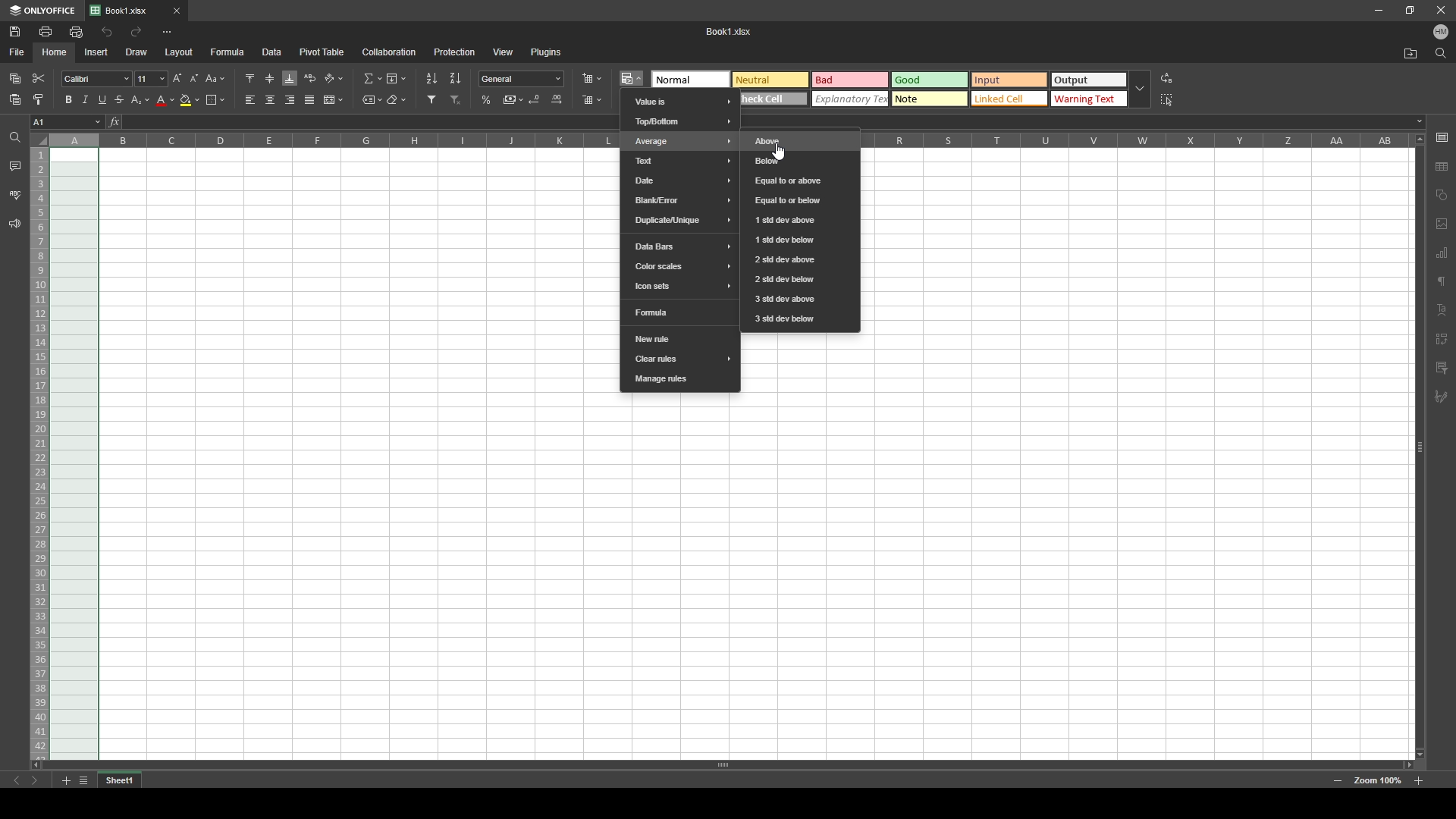 Image resolution: width=1456 pixels, height=819 pixels. Describe the element at coordinates (166, 101) in the screenshot. I see `font color` at that location.